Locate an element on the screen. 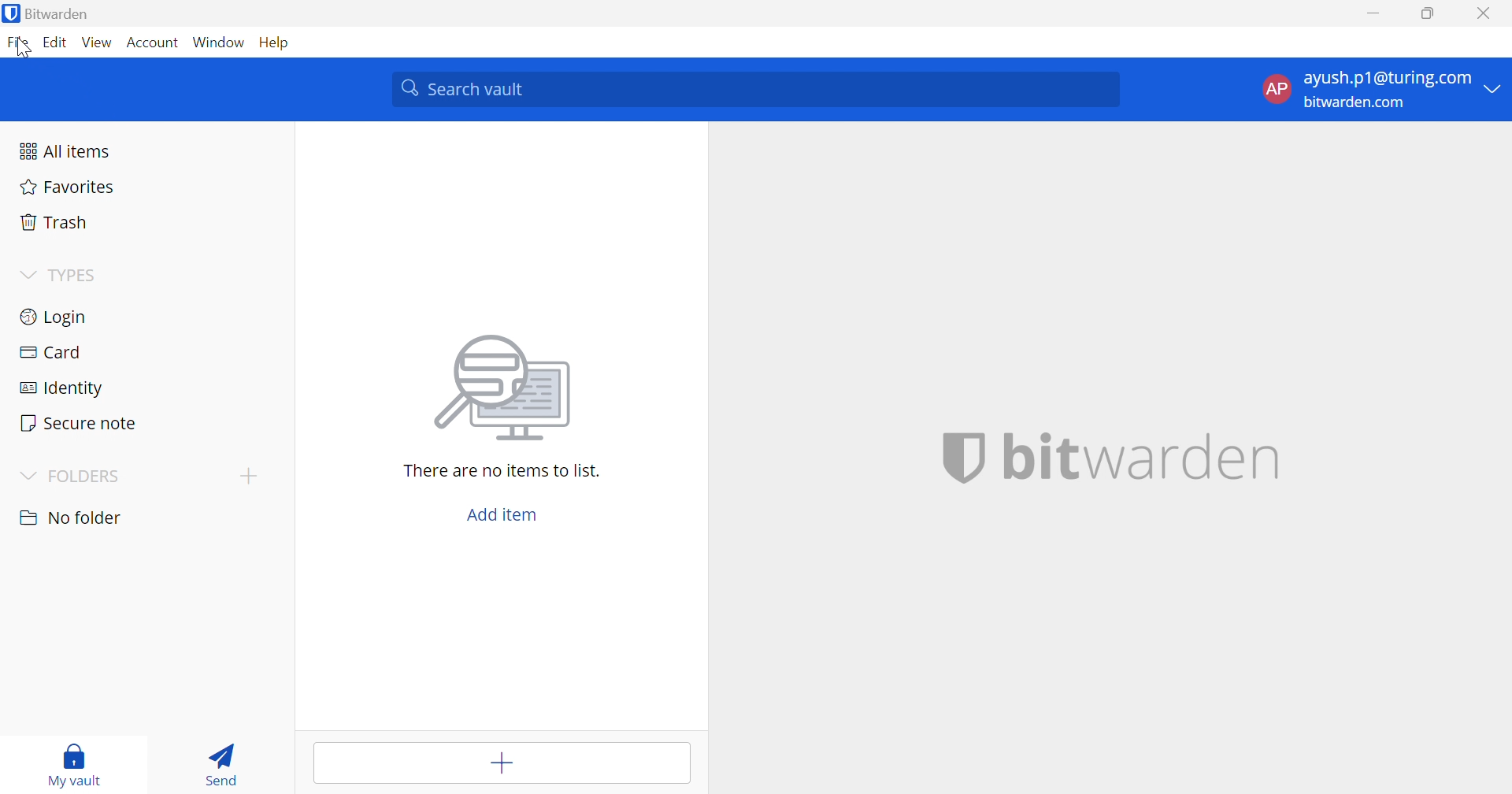  There are no items to list is located at coordinates (500, 471).